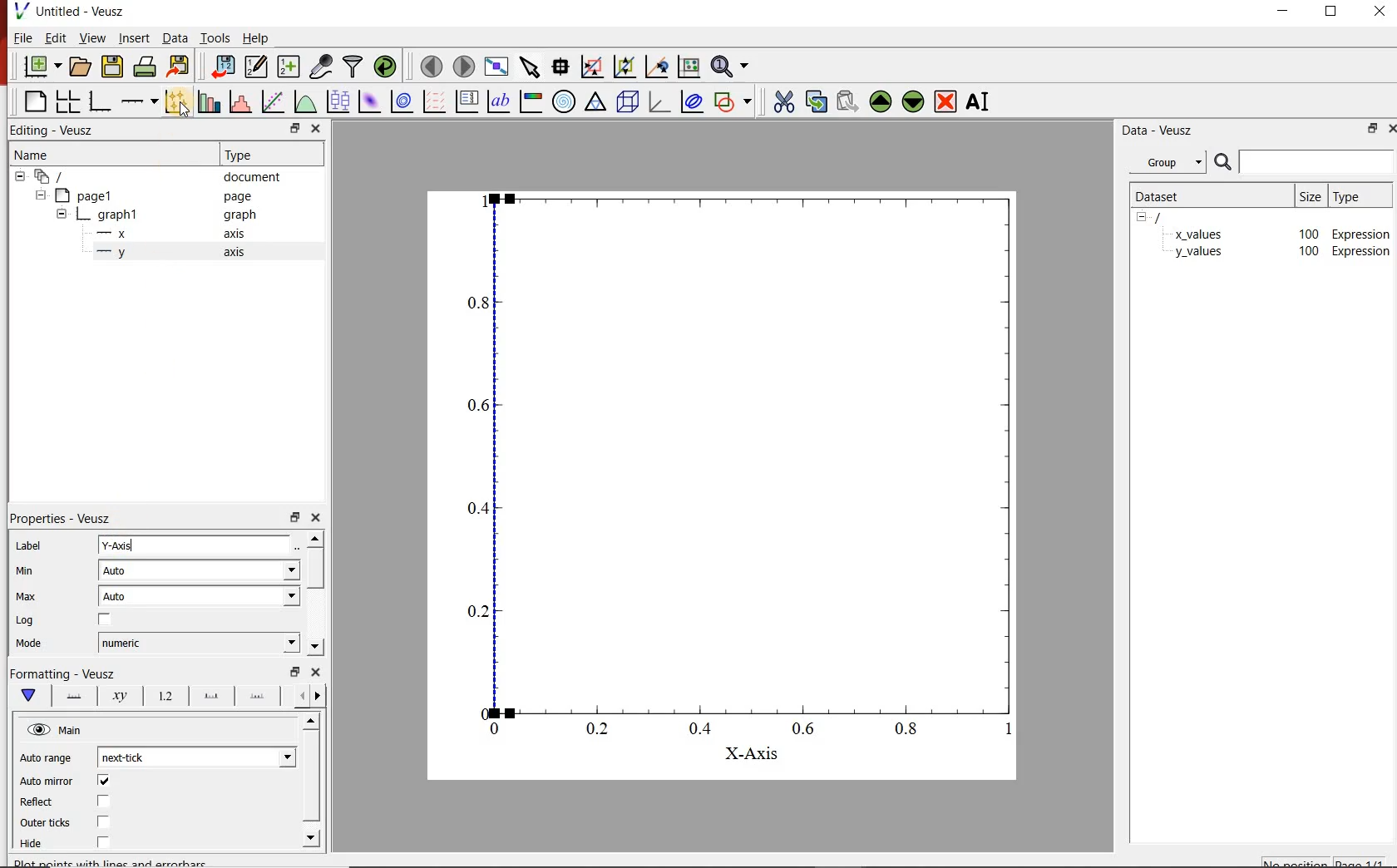  I want to click on auto, so click(200, 595).